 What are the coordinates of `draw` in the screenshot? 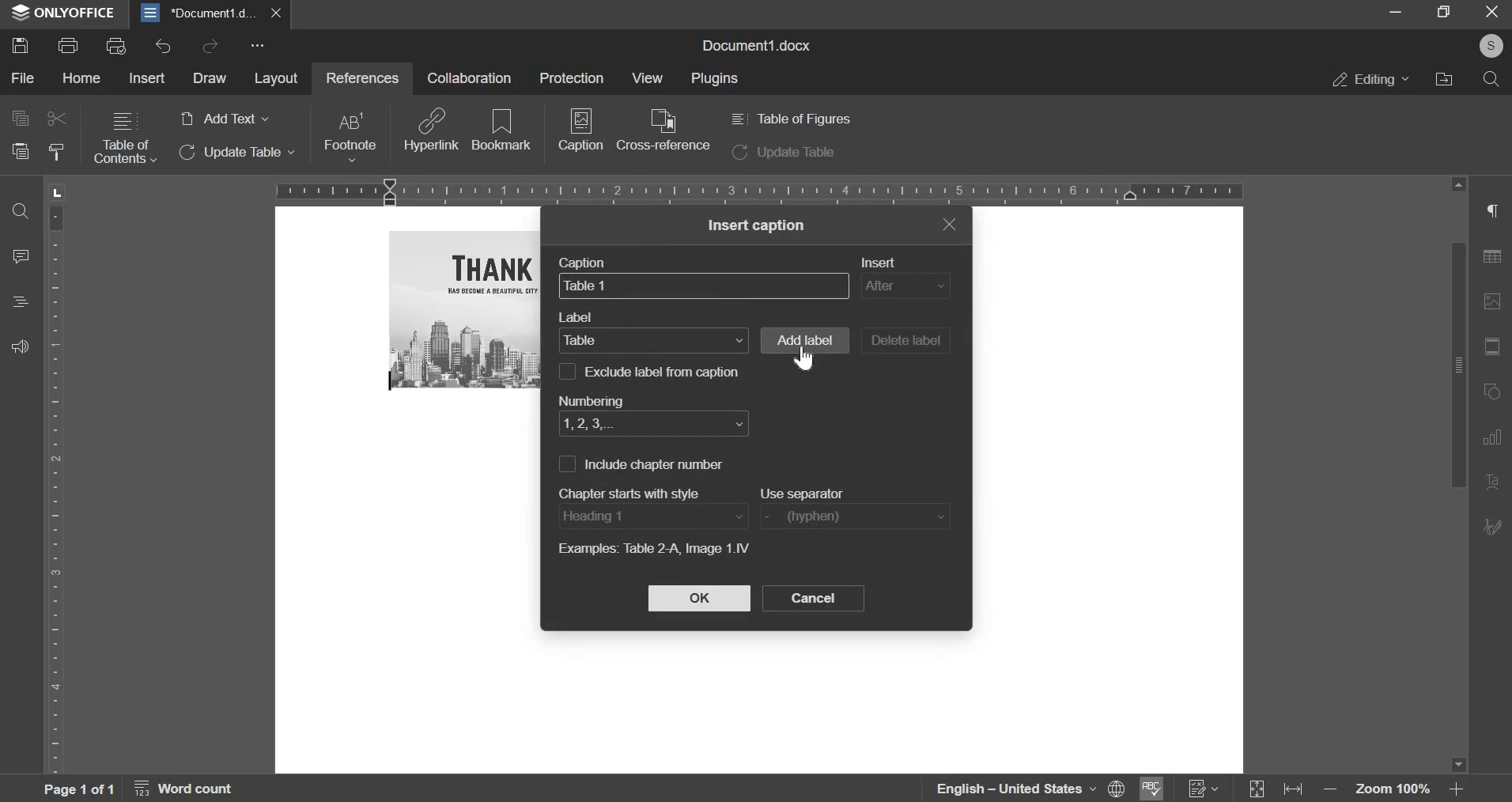 It's located at (209, 78).